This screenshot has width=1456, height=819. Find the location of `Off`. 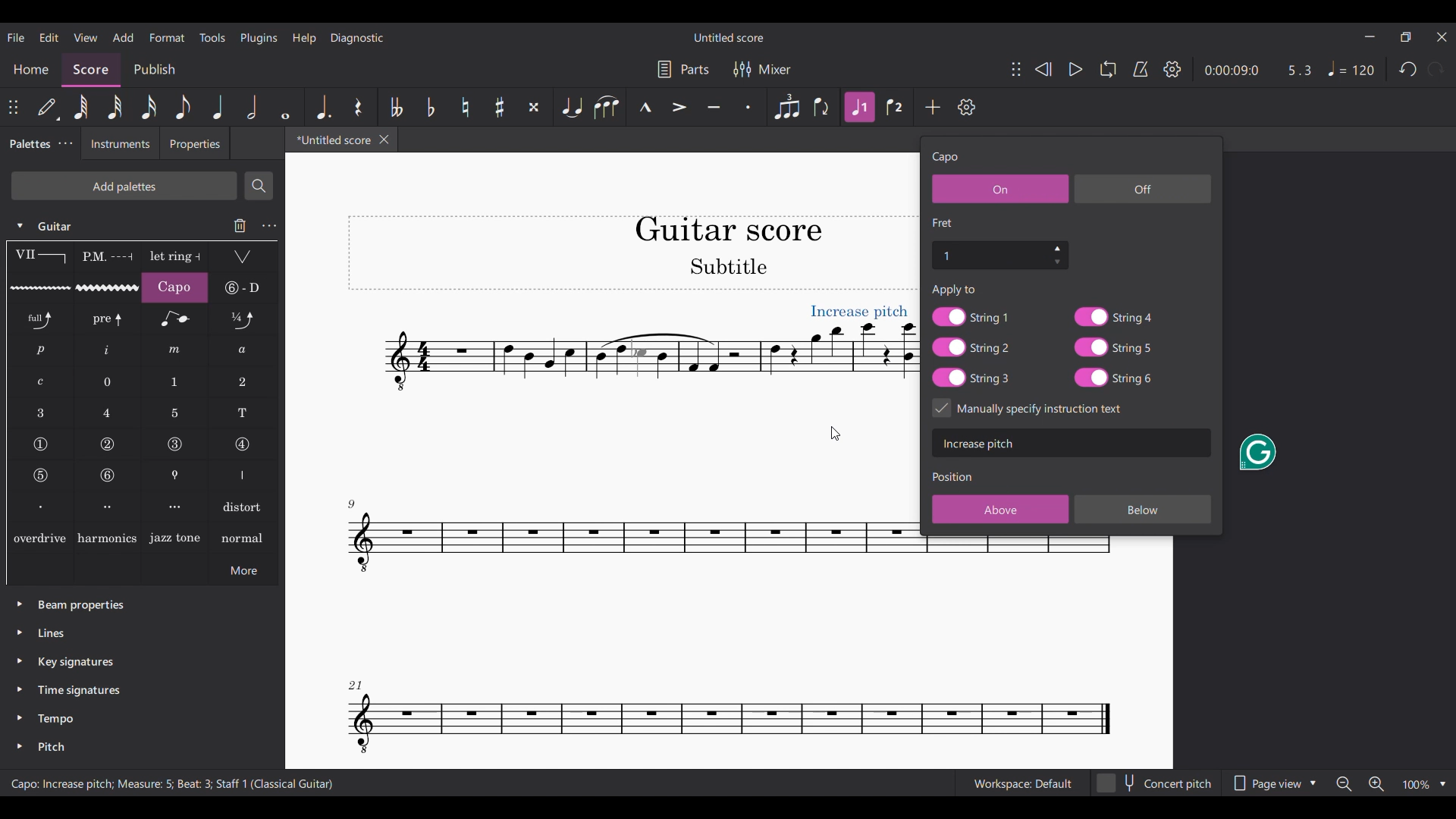

Off is located at coordinates (1143, 189).